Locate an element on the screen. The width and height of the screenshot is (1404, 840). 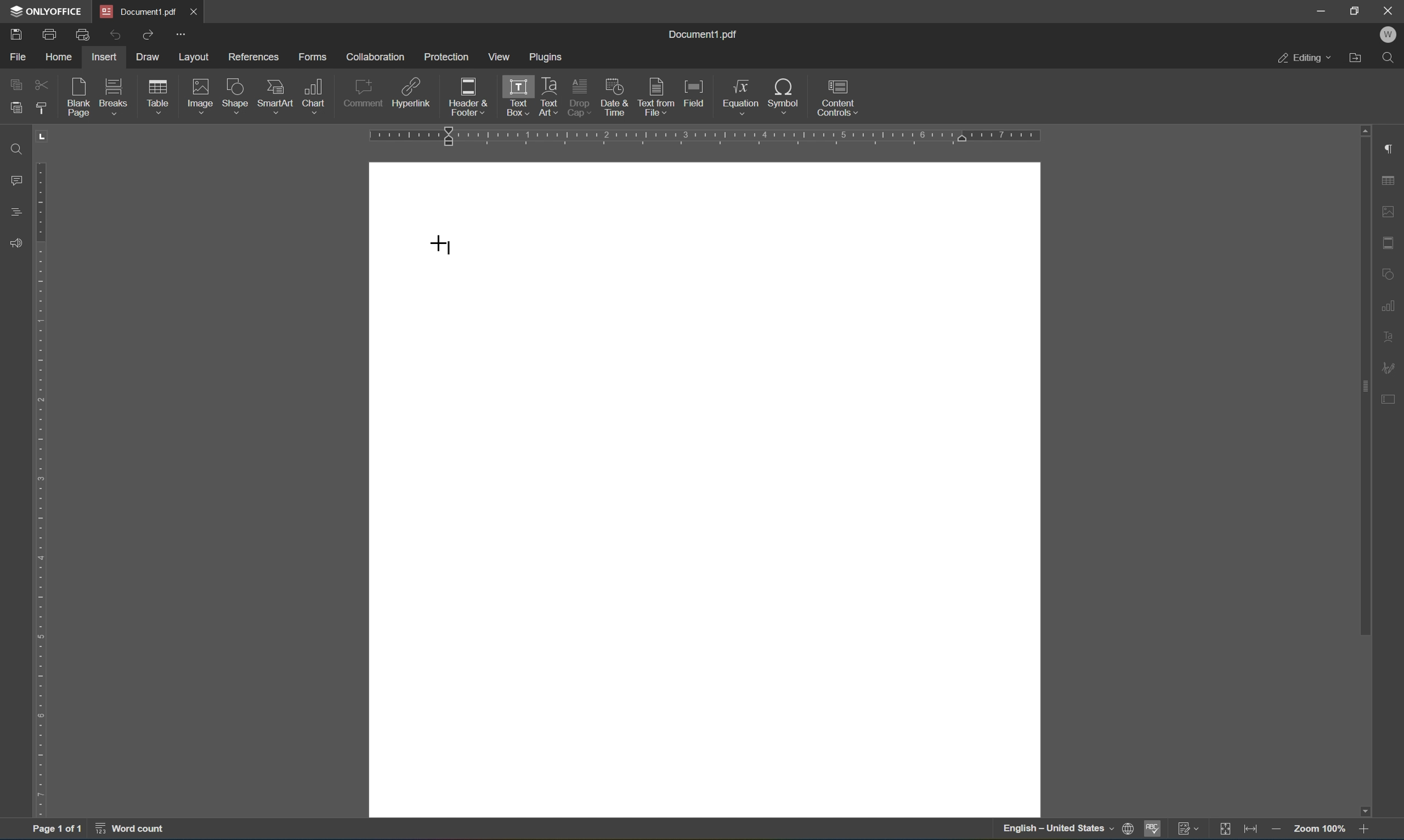
fit to page is located at coordinates (1225, 830).